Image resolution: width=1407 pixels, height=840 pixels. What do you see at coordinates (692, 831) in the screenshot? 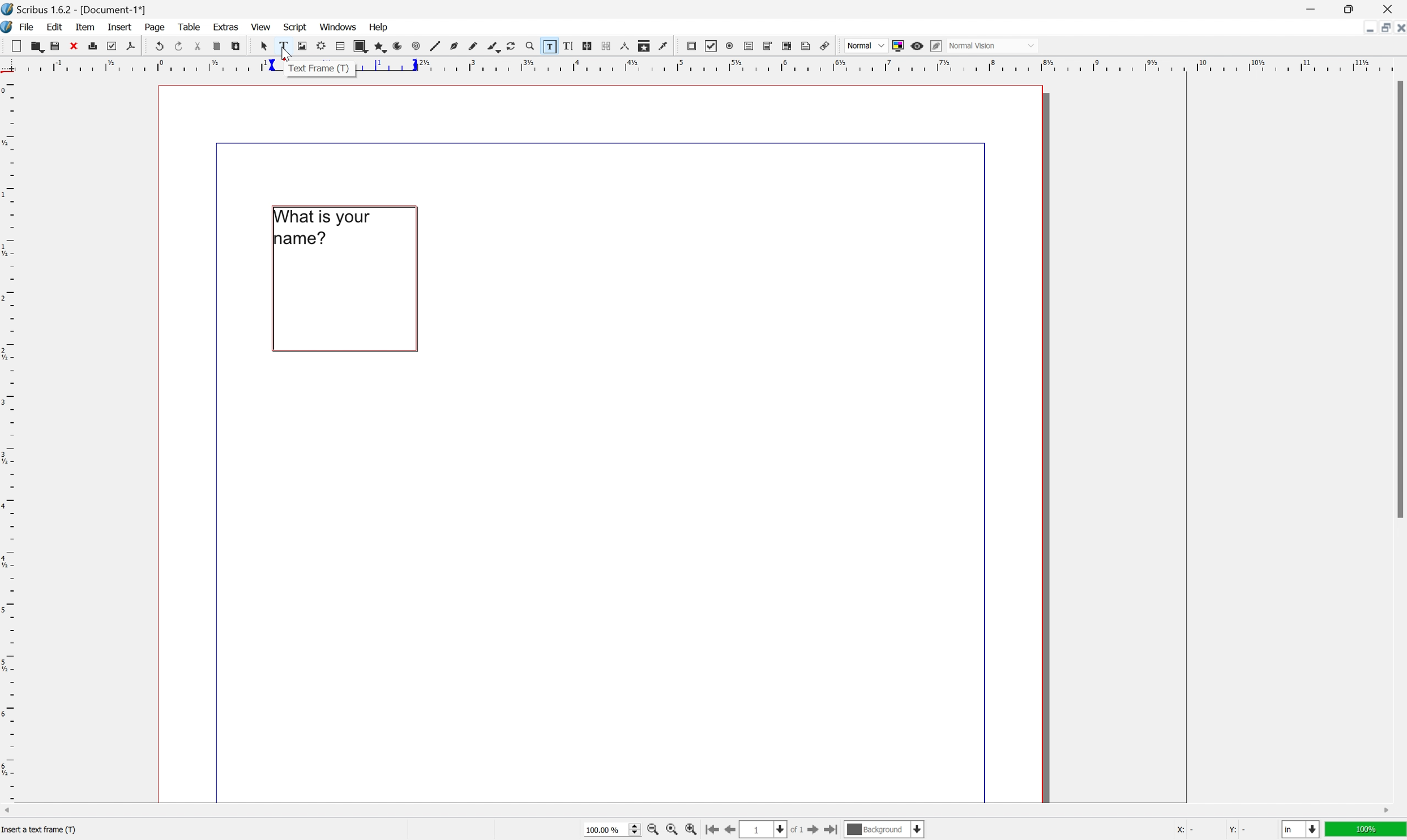
I see `zoom in` at bounding box center [692, 831].